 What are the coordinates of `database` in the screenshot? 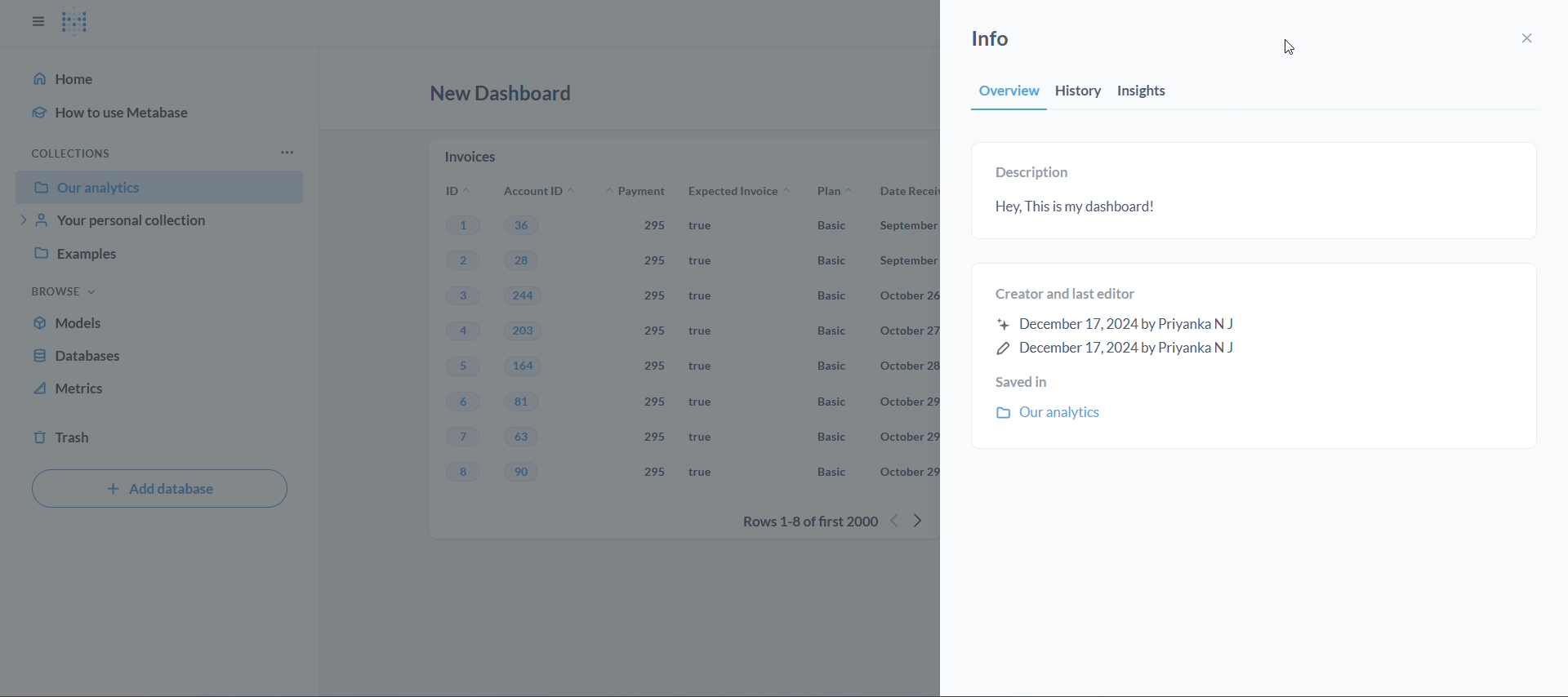 It's located at (159, 358).